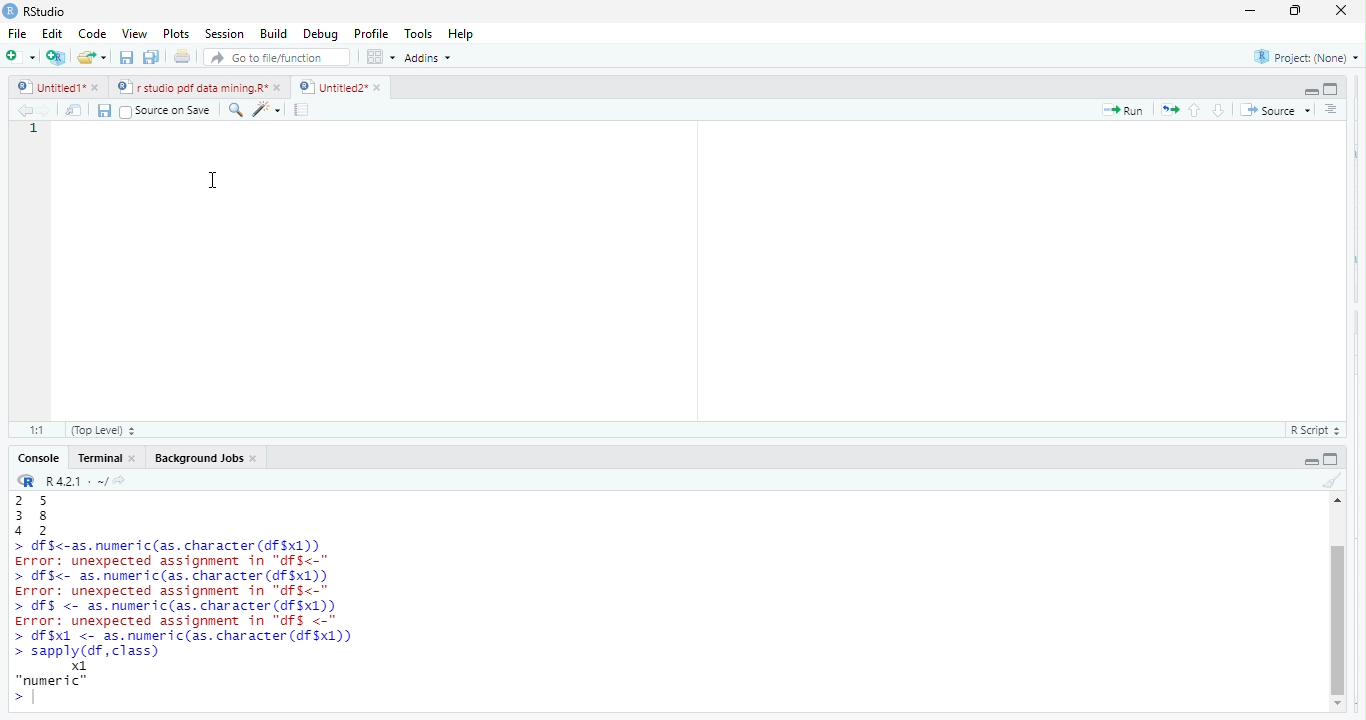 This screenshot has width=1366, height=720. What do you see at coordinates (27, 481) in the screenshot?
I see `r studio logo` at bounding box center [27, 481].